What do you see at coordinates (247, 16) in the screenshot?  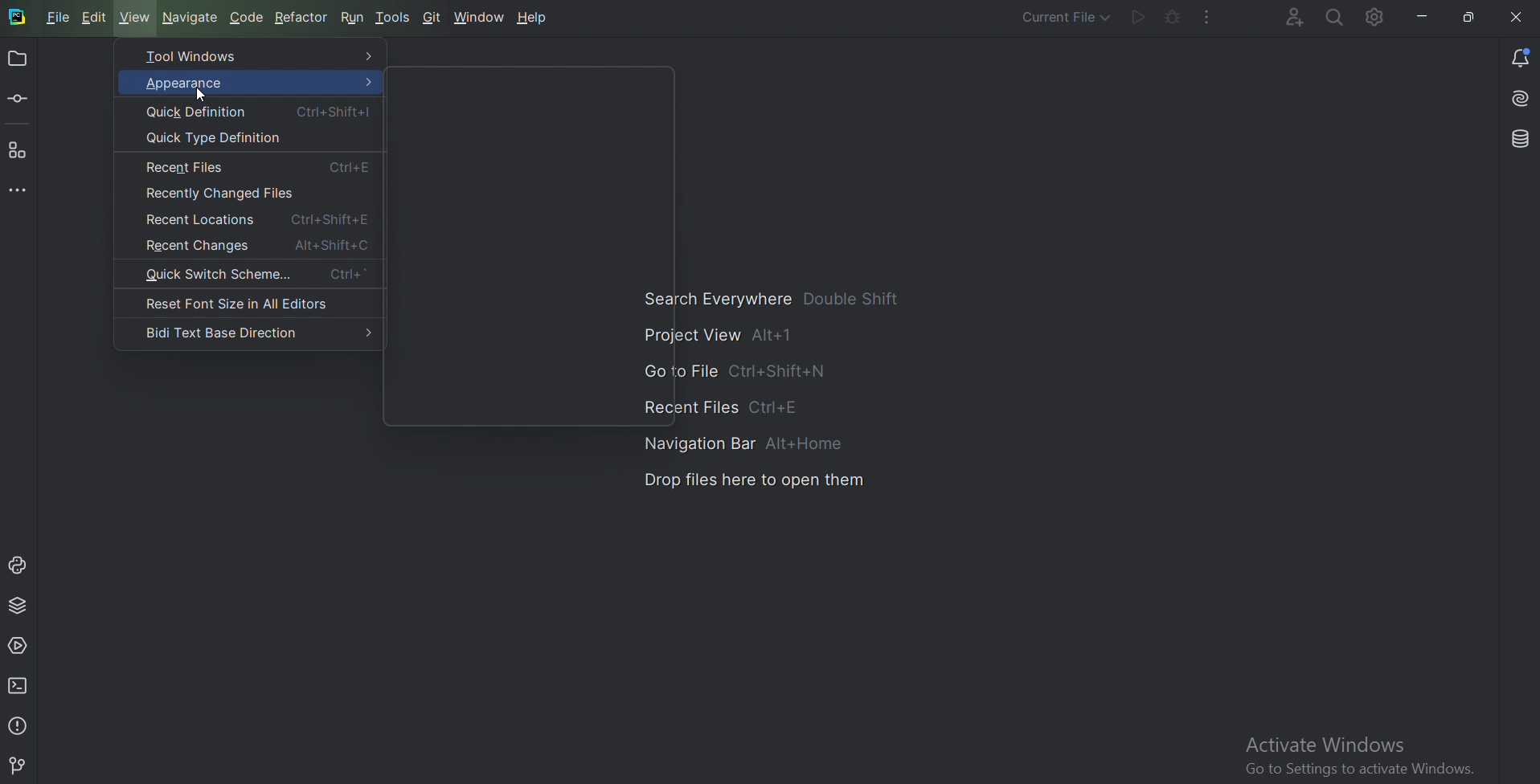 I see `Code` at bounding box center [247, 16].